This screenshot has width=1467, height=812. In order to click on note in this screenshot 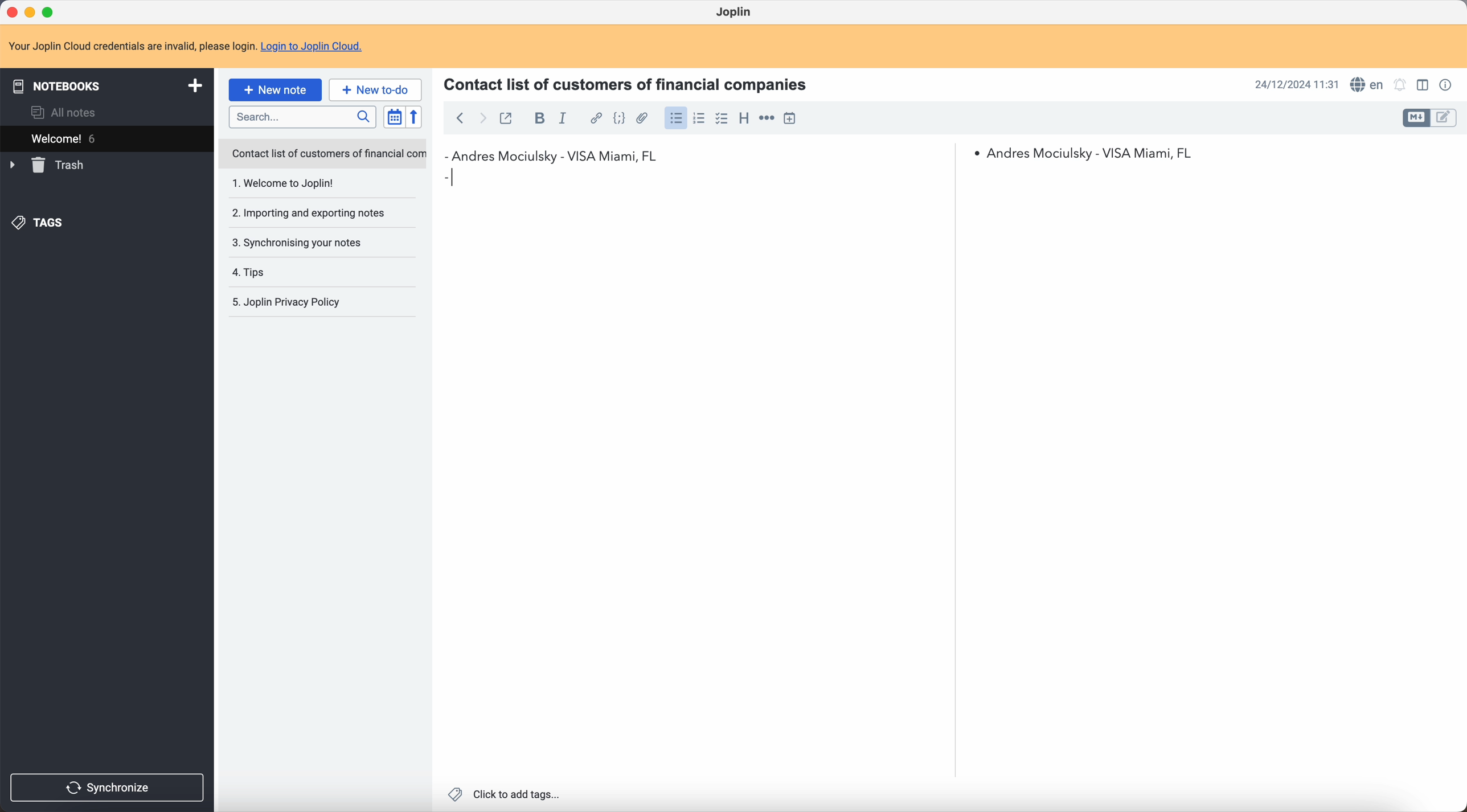, I will do `click(185, 44)`.